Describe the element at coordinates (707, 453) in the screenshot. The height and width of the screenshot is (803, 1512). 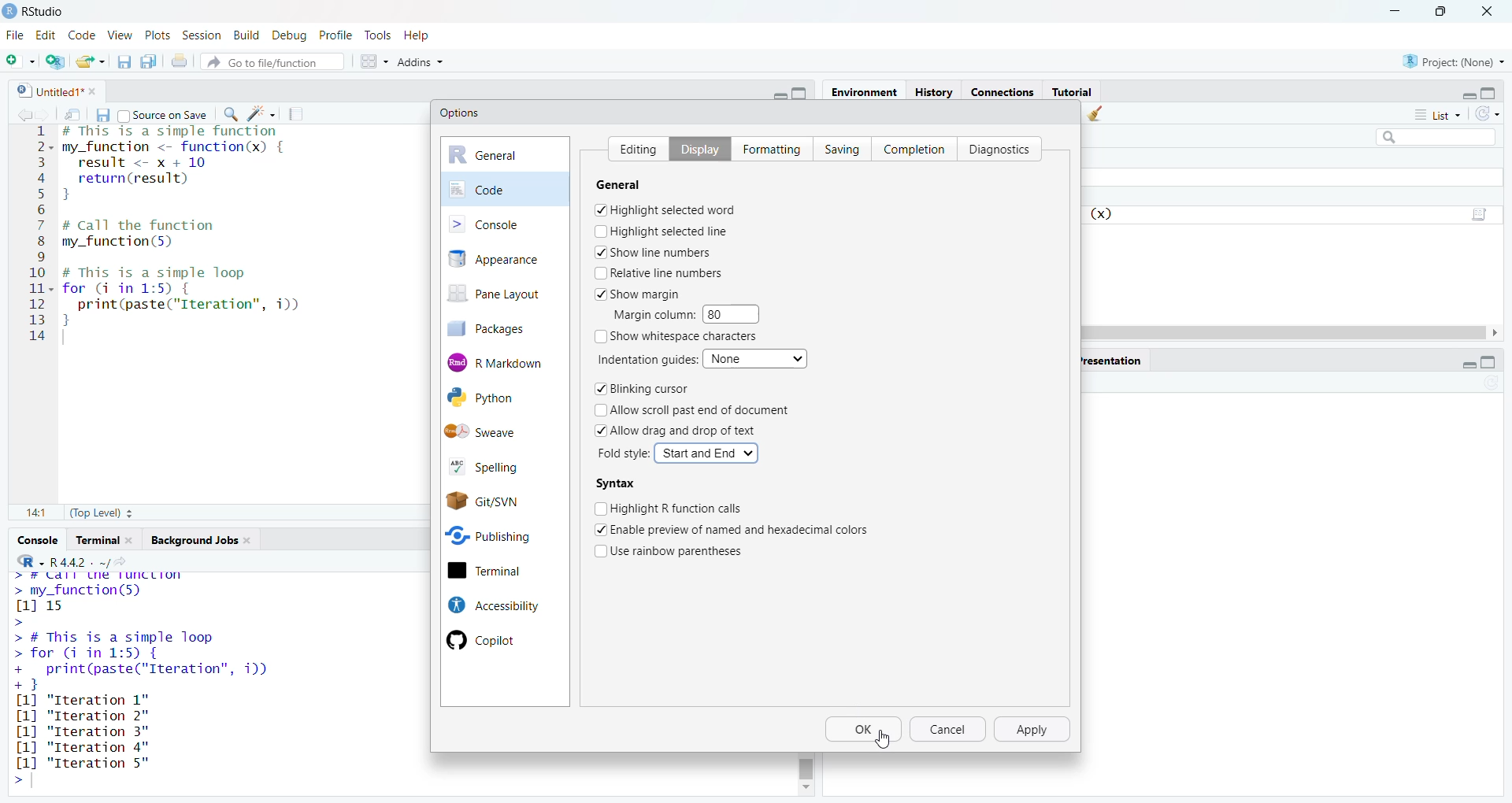
I see `start and end` at that location.